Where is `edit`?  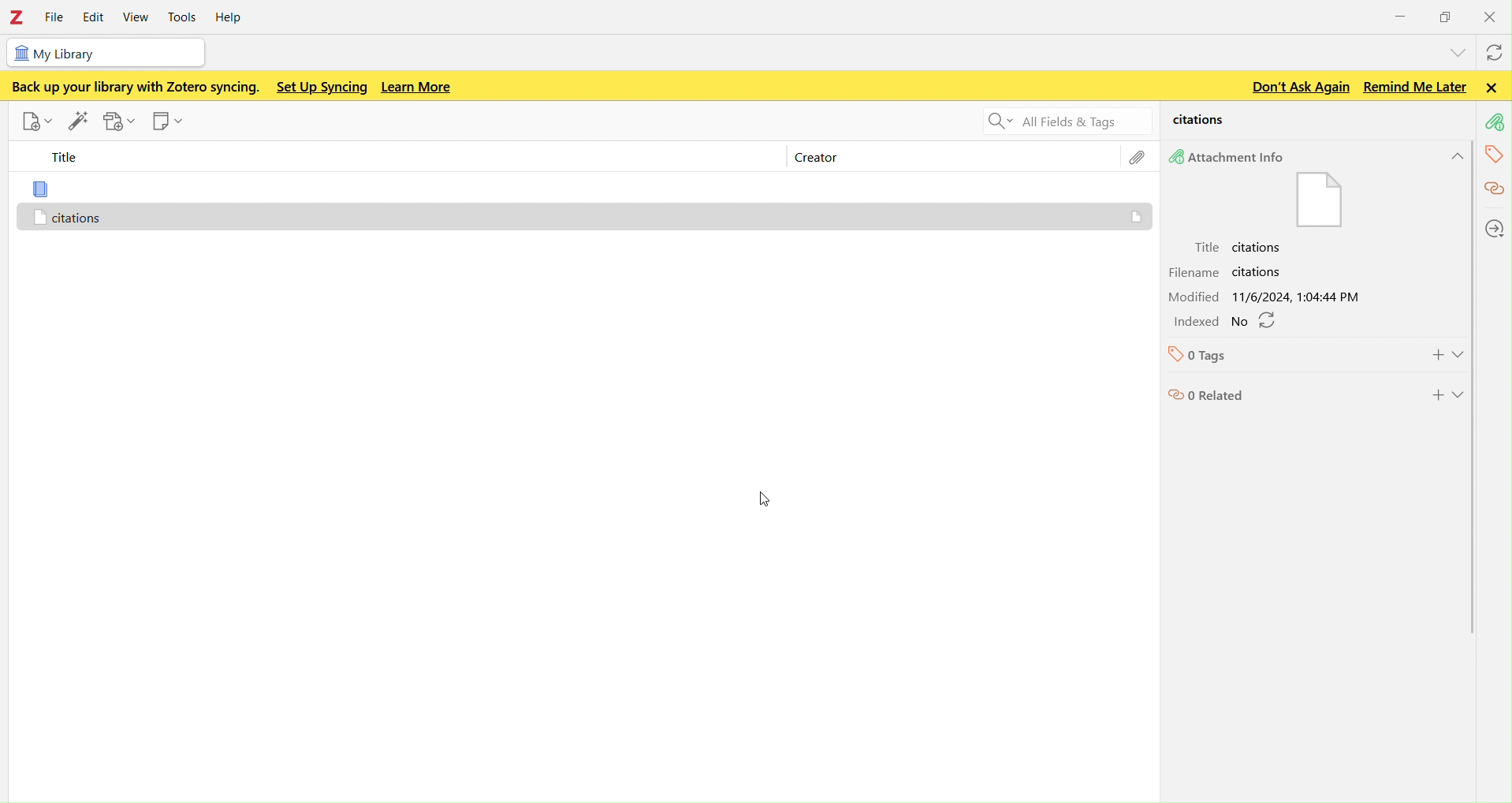 edit is located at coordinates (95, 17).